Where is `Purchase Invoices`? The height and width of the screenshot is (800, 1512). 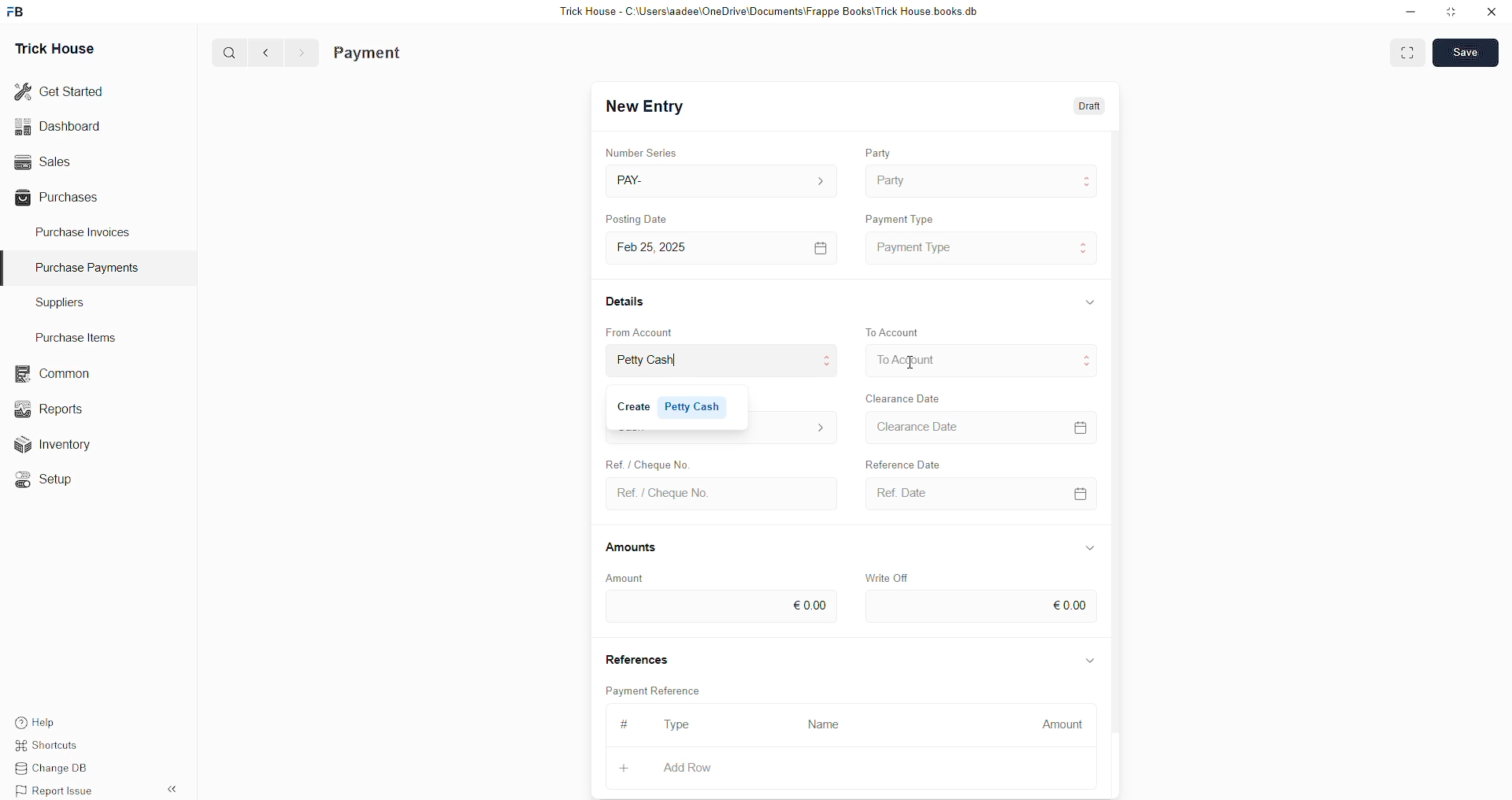
Purchase Invoices is located at coordinates (85, 231).